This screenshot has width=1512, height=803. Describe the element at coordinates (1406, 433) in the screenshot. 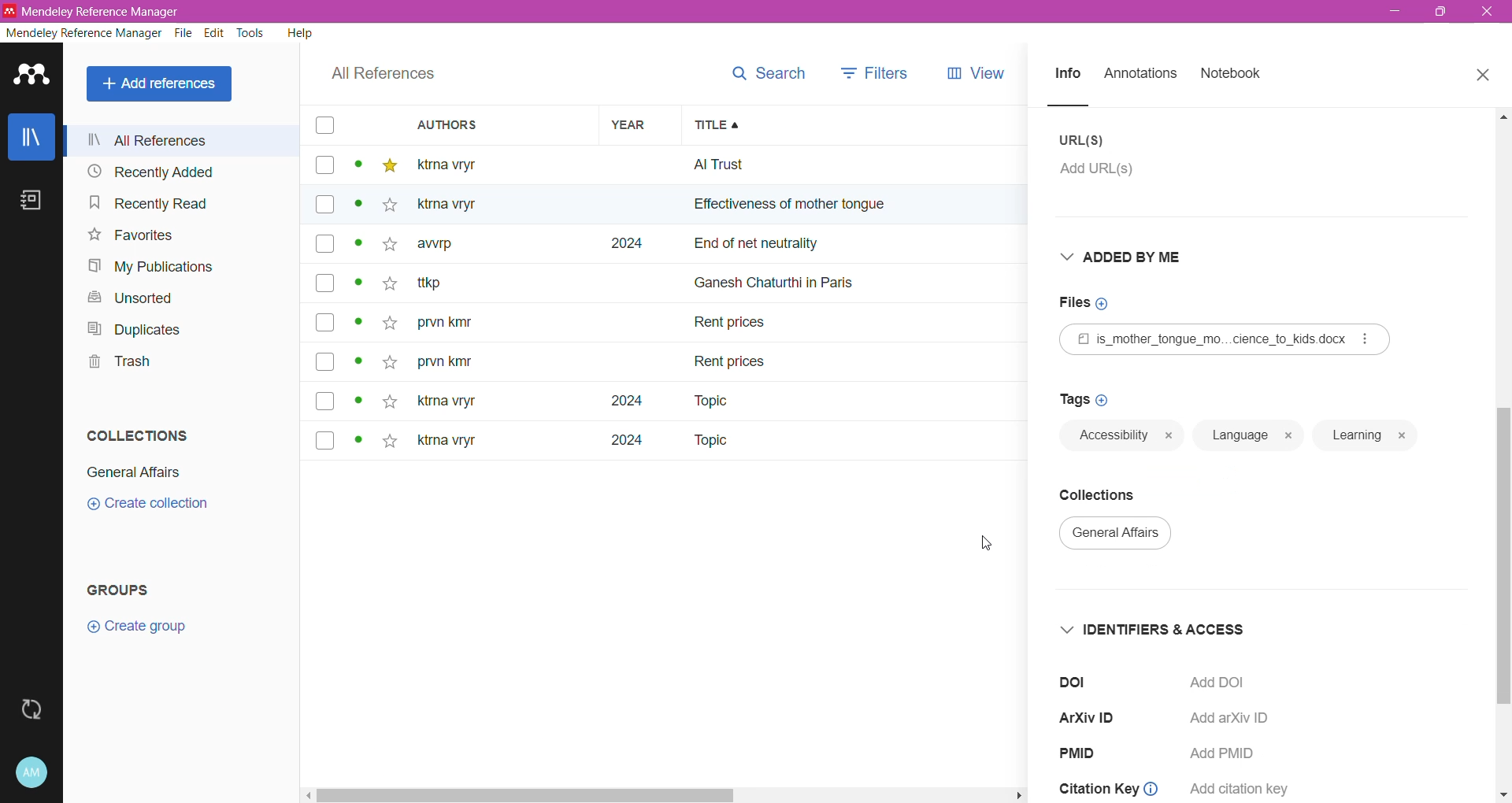

I see `close` at that location.